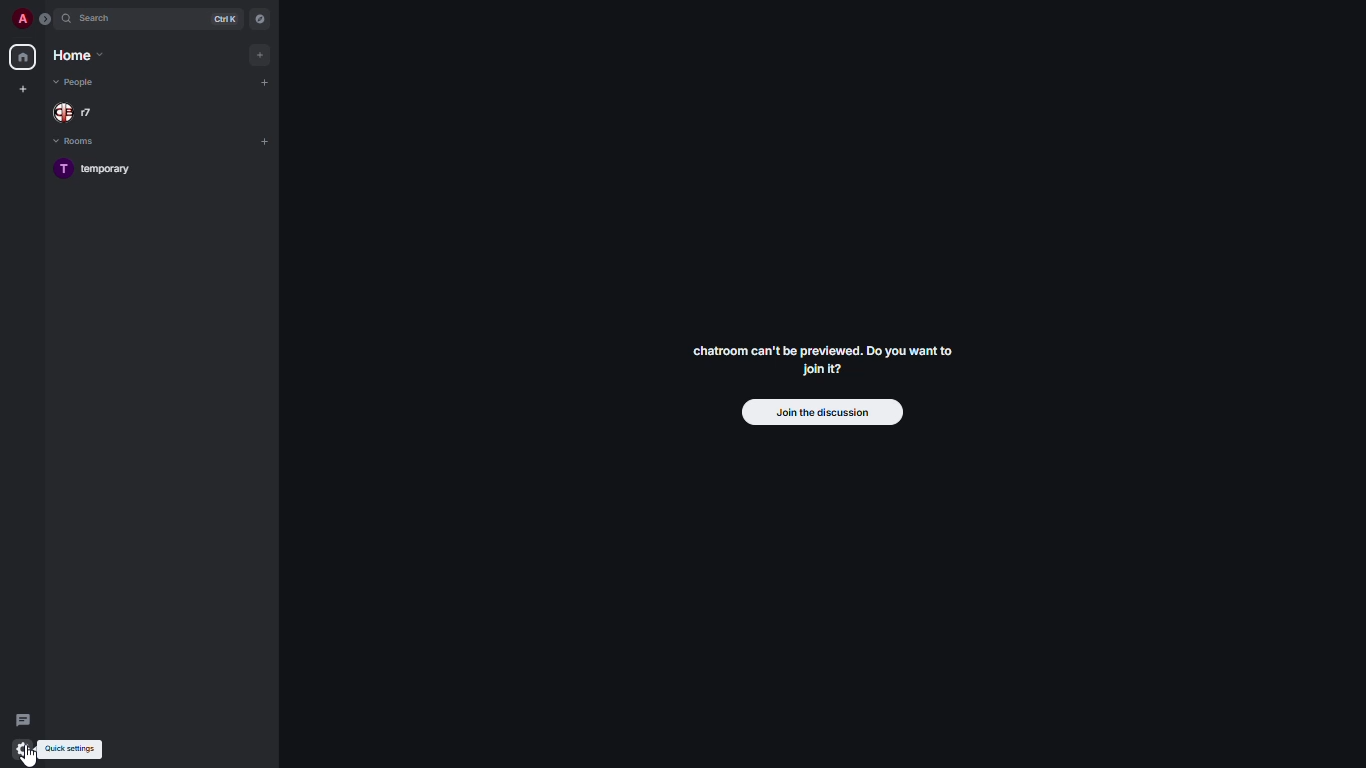 This screenshot has height=768, width=1366. Describe the element at coordinates (818, 362) in the screenshot. I see `chatroom can't be previewed` at that location.